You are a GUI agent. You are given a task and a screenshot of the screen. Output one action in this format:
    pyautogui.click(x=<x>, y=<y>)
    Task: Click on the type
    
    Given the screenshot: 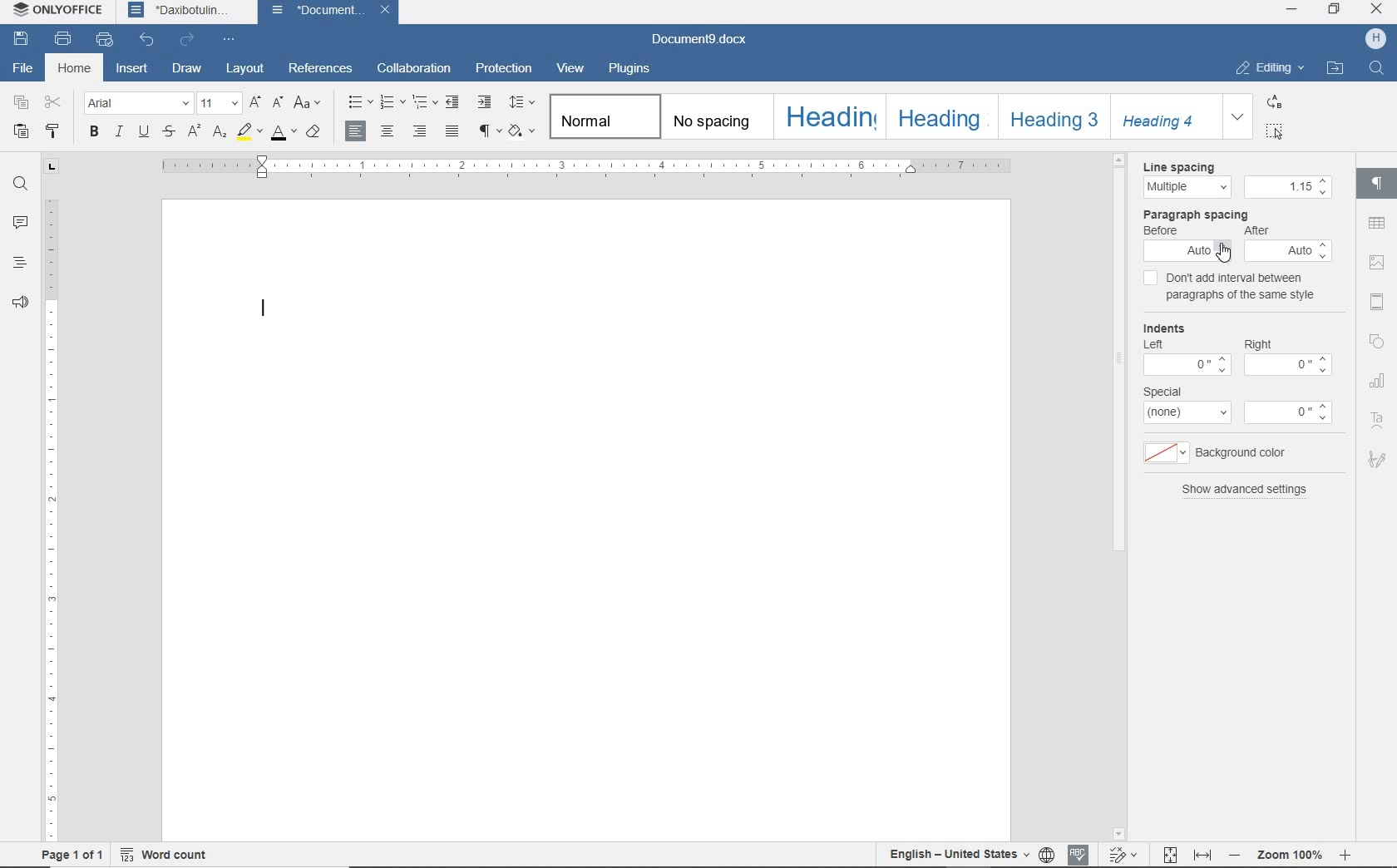 What is the action you would take?
    pyautogui.click(x=1188, y=412)
    